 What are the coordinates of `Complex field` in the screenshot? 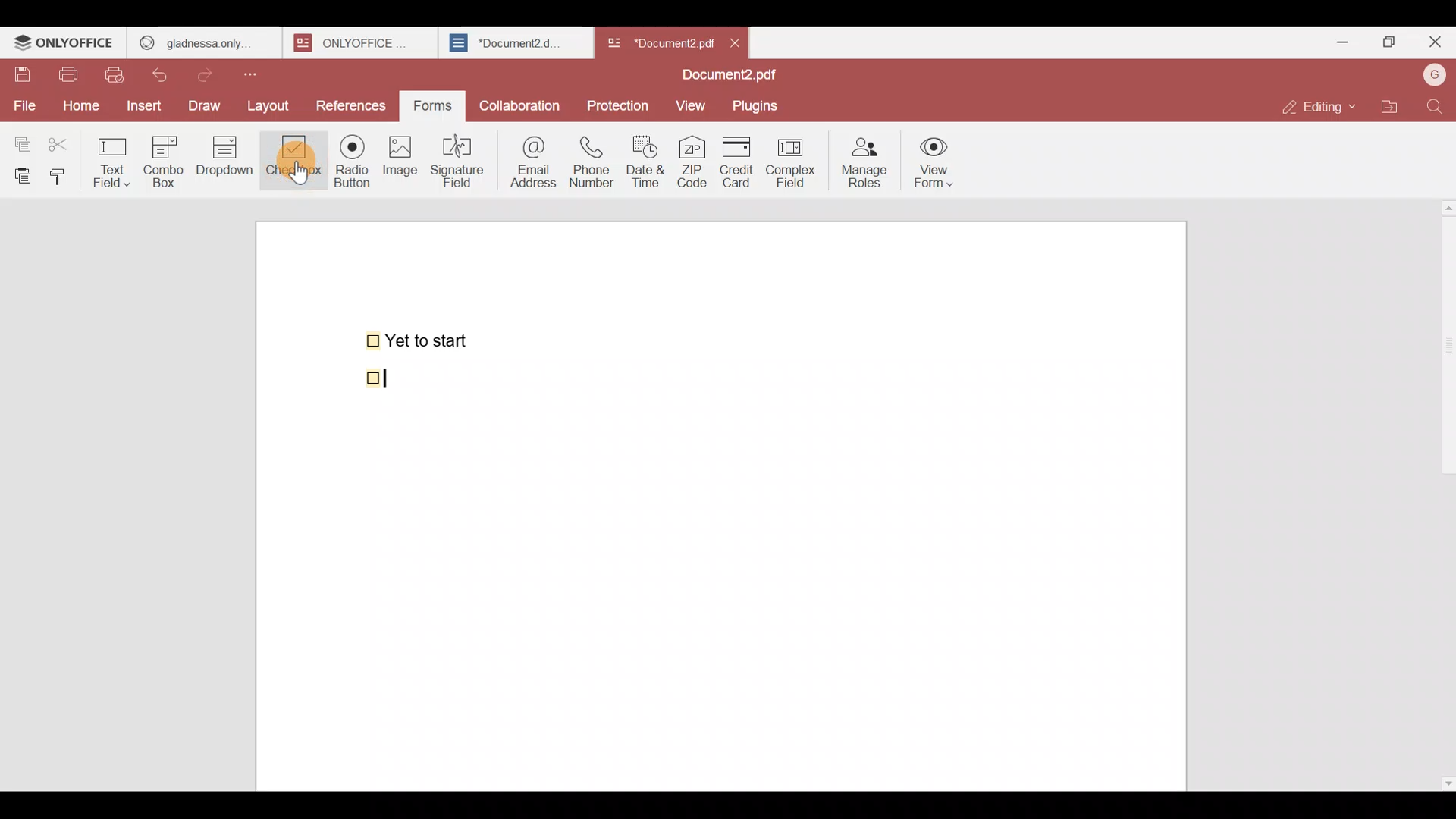 It's located at (789, 164).